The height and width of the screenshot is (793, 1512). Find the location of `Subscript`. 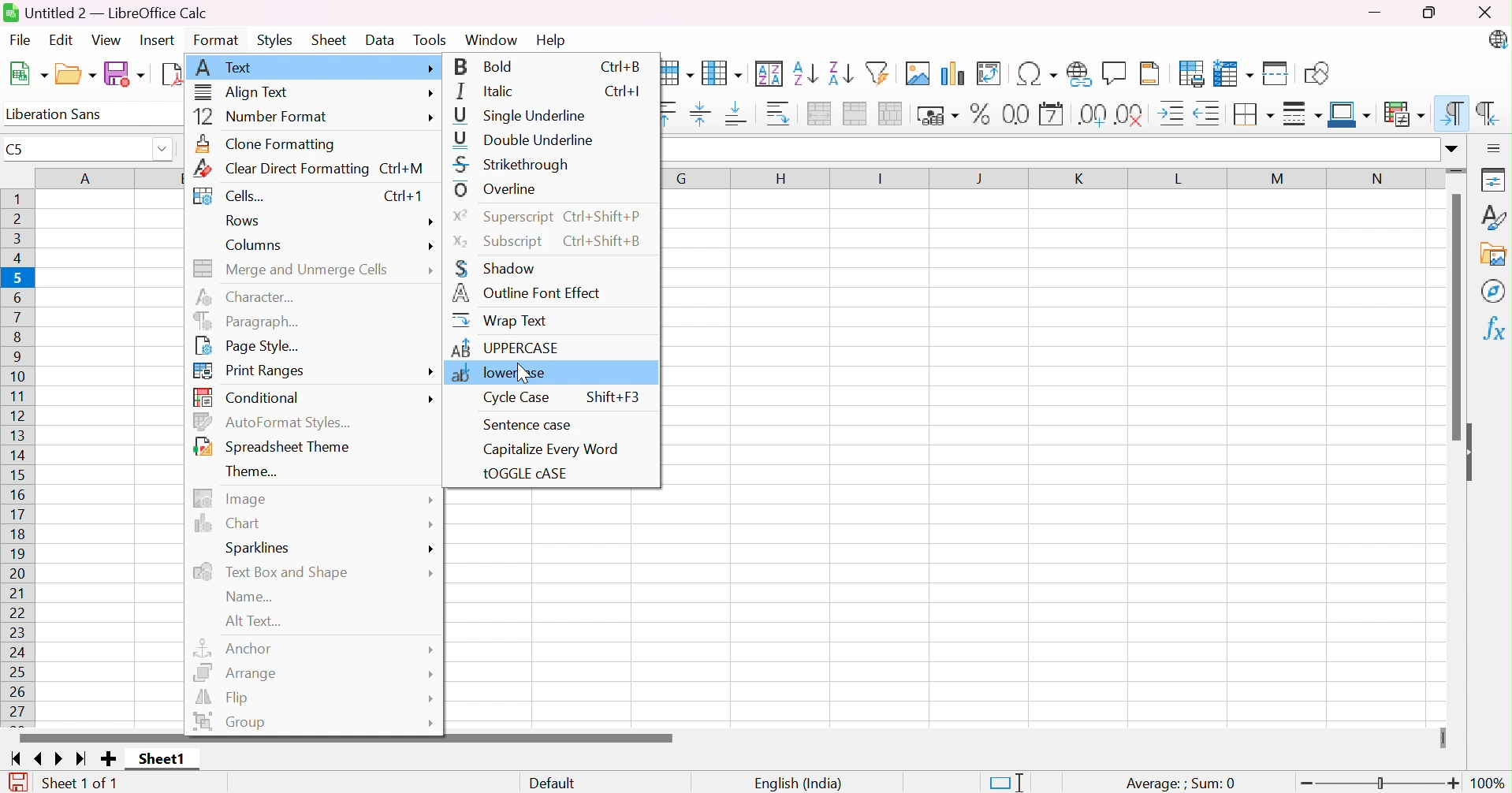

Subscript is located at coordinates (500, 240).